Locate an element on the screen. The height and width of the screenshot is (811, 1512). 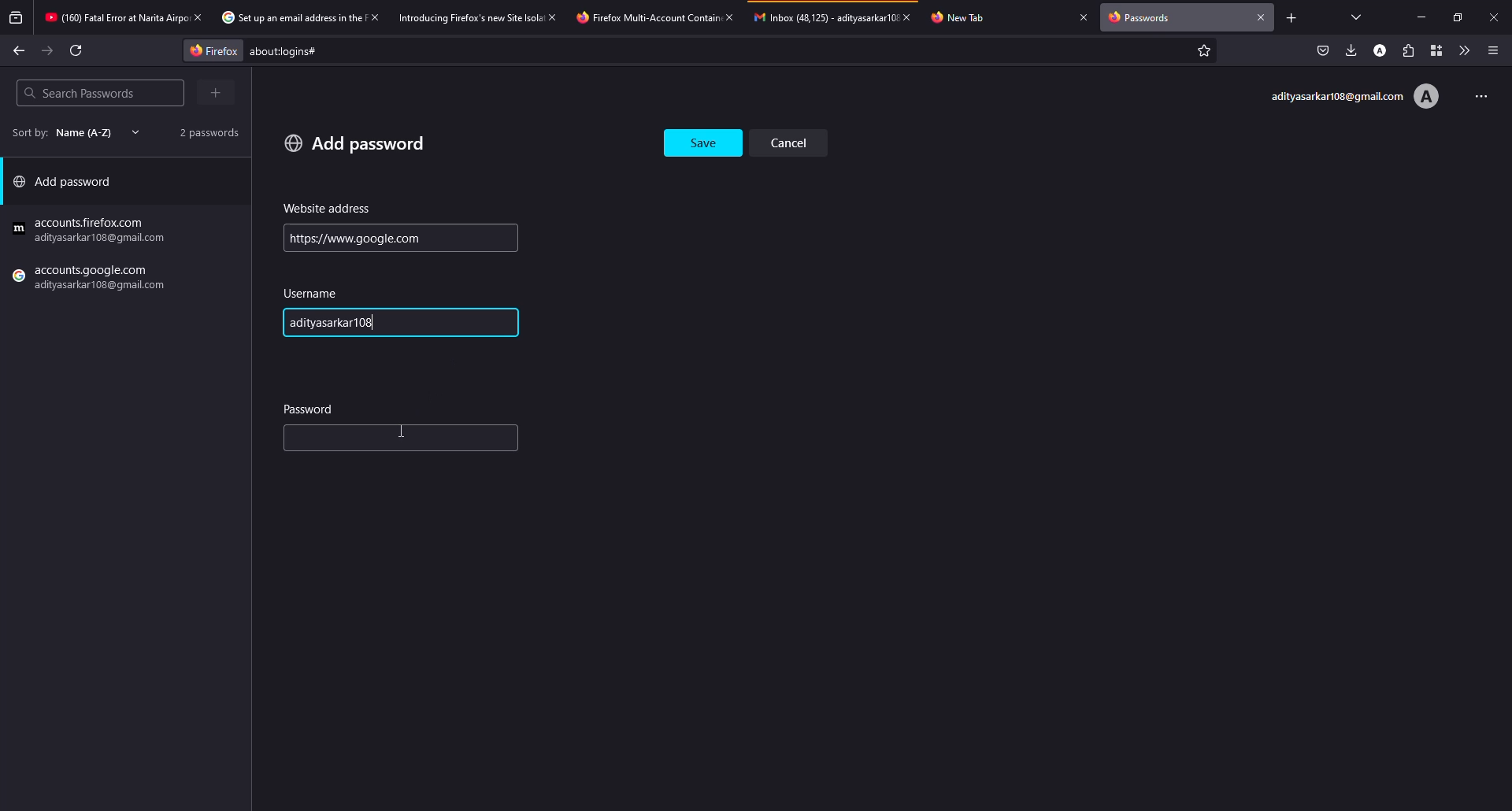
search is located at coordinates (79, 93).